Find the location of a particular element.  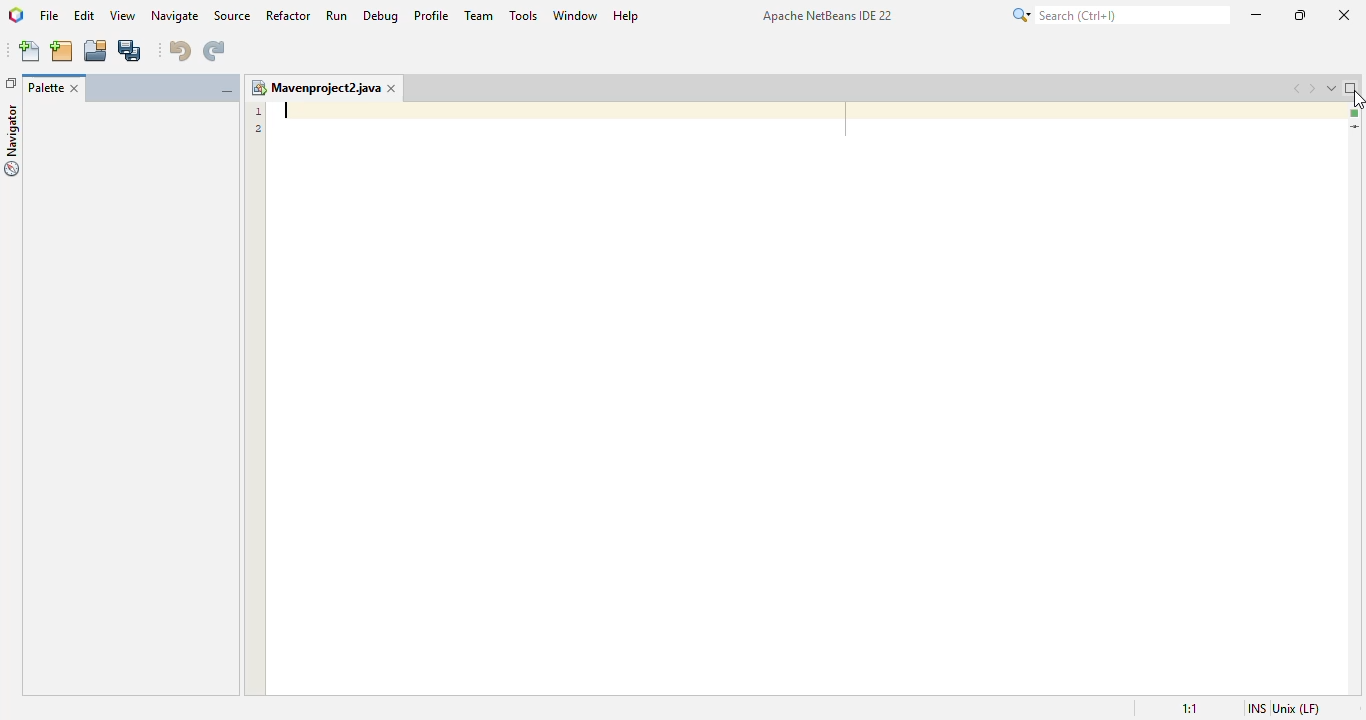

project name is located at coordinates (314, 88).